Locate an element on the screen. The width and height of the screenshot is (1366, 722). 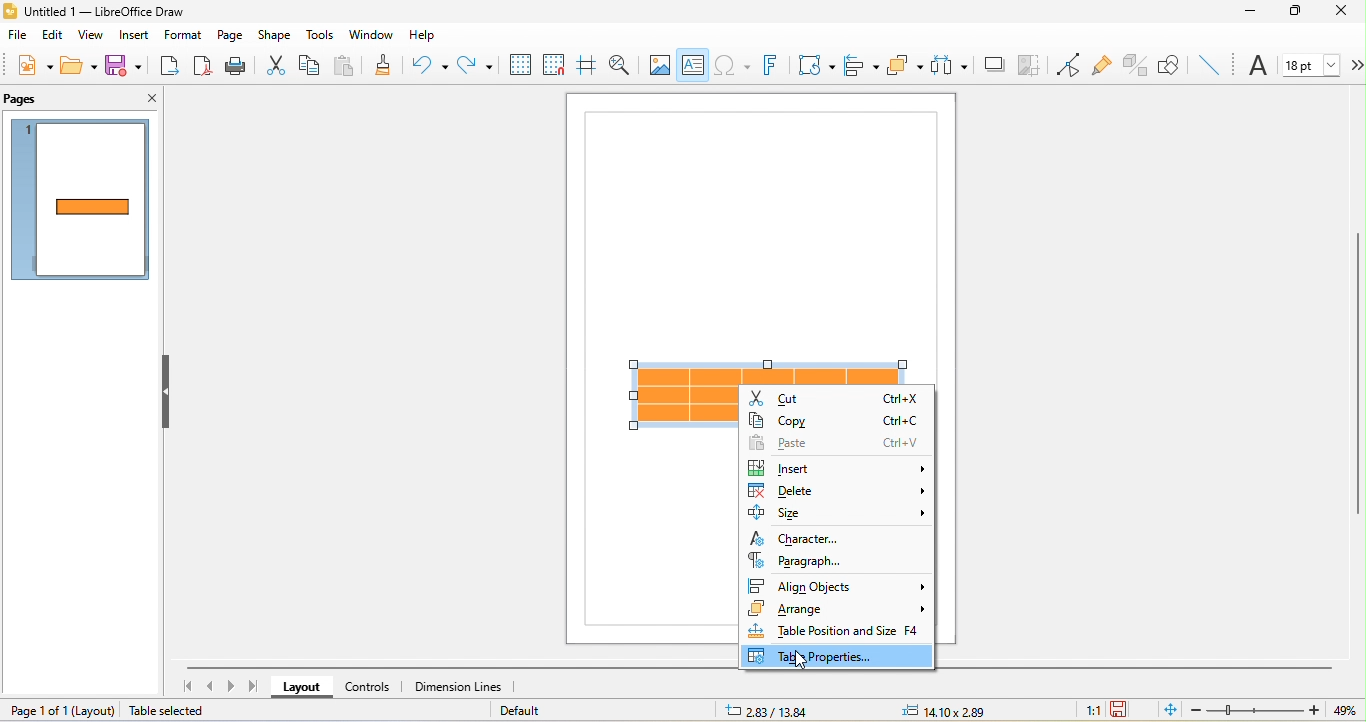
paste is located at coordinates (346, 65).